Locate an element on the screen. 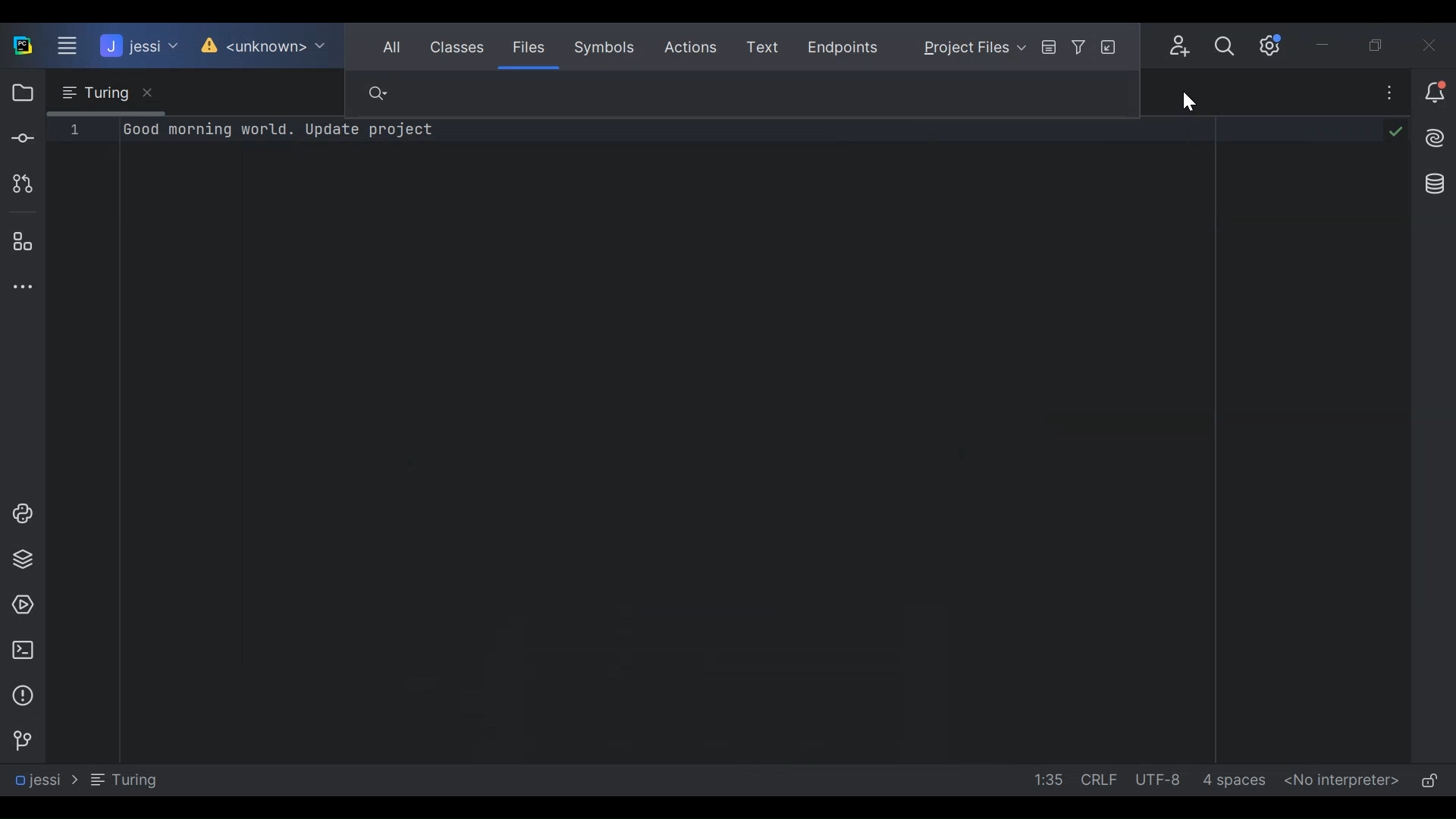 This screenshot has height=819, width=1456. Minimize is located at coordinates (1330, 48).